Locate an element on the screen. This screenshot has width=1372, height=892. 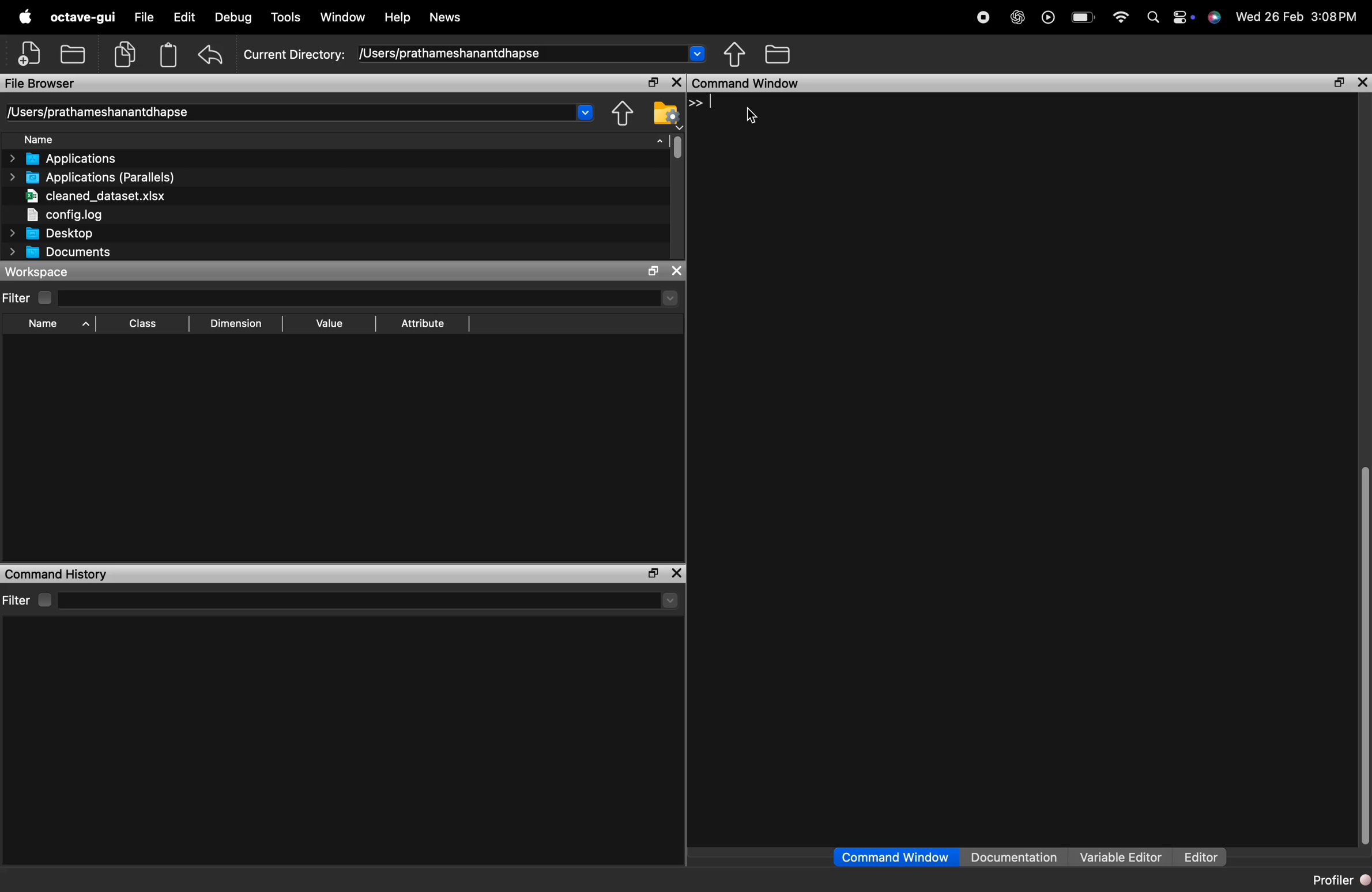
Help is located at coordinates (397, 17).